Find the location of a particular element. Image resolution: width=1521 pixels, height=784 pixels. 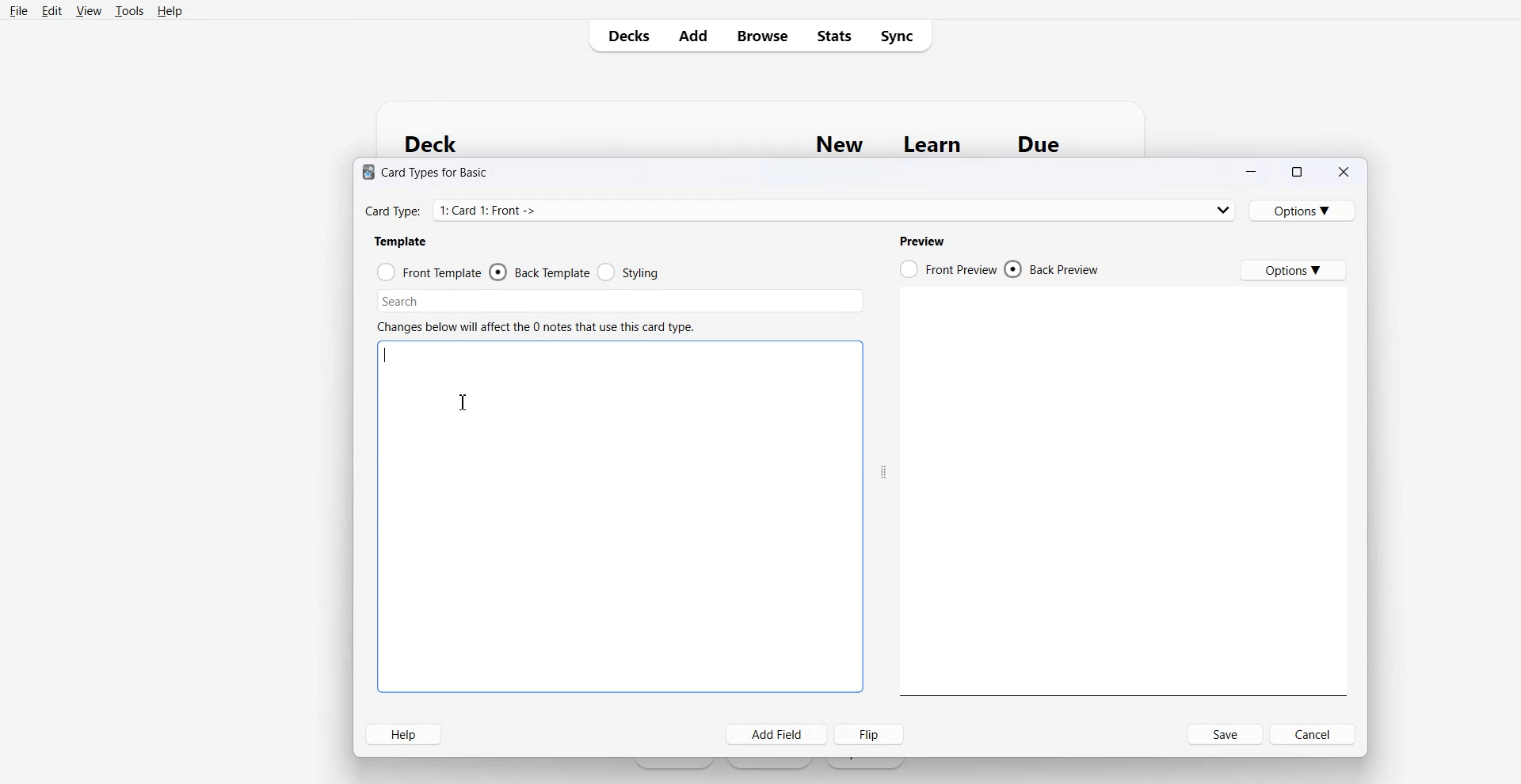

Options is located at coordinates (1288, 269).